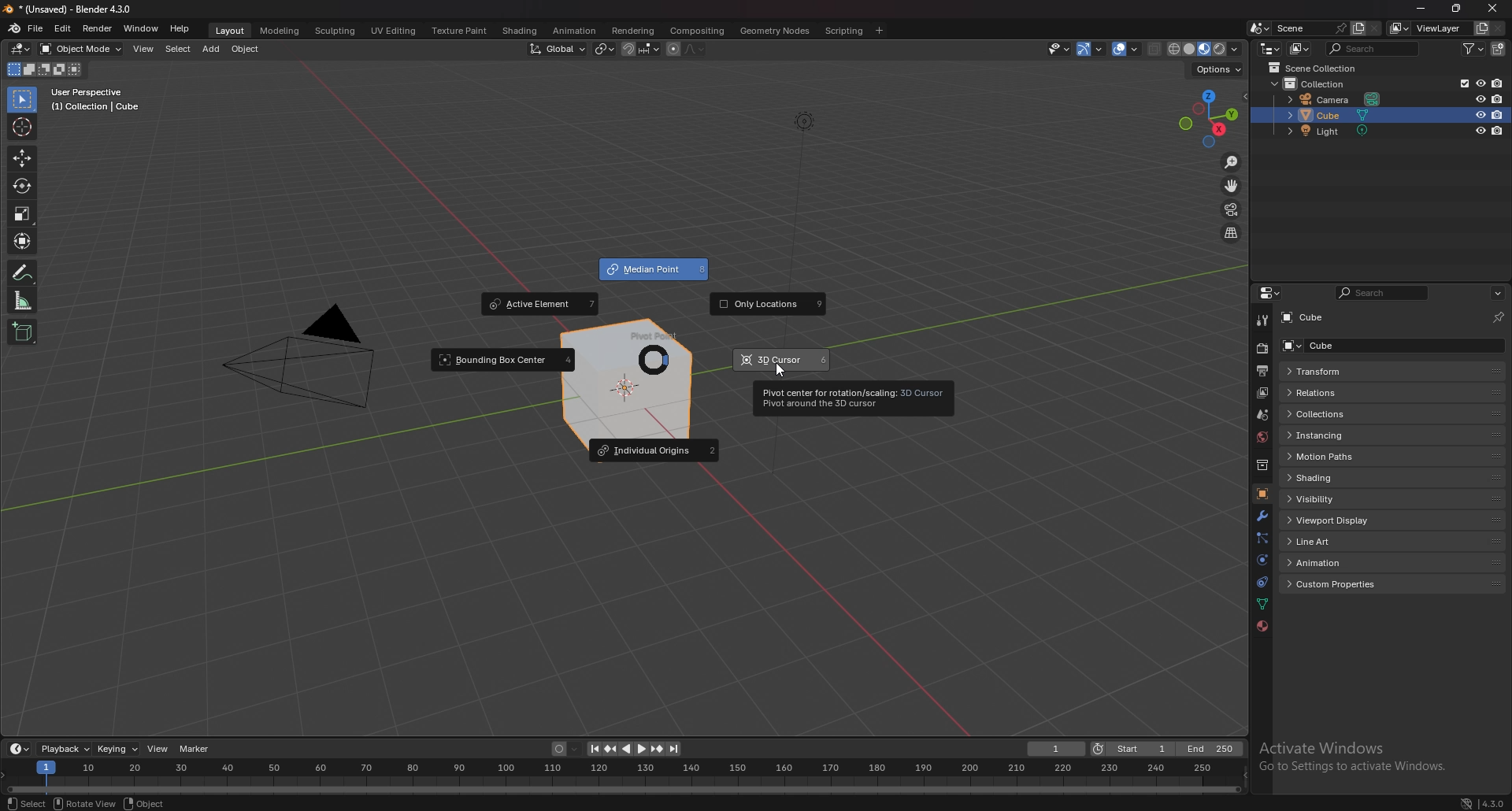  What do you see at coordinates (1262, 371) in the screenshot?
I see `output` at bounding box center [1262, 371].